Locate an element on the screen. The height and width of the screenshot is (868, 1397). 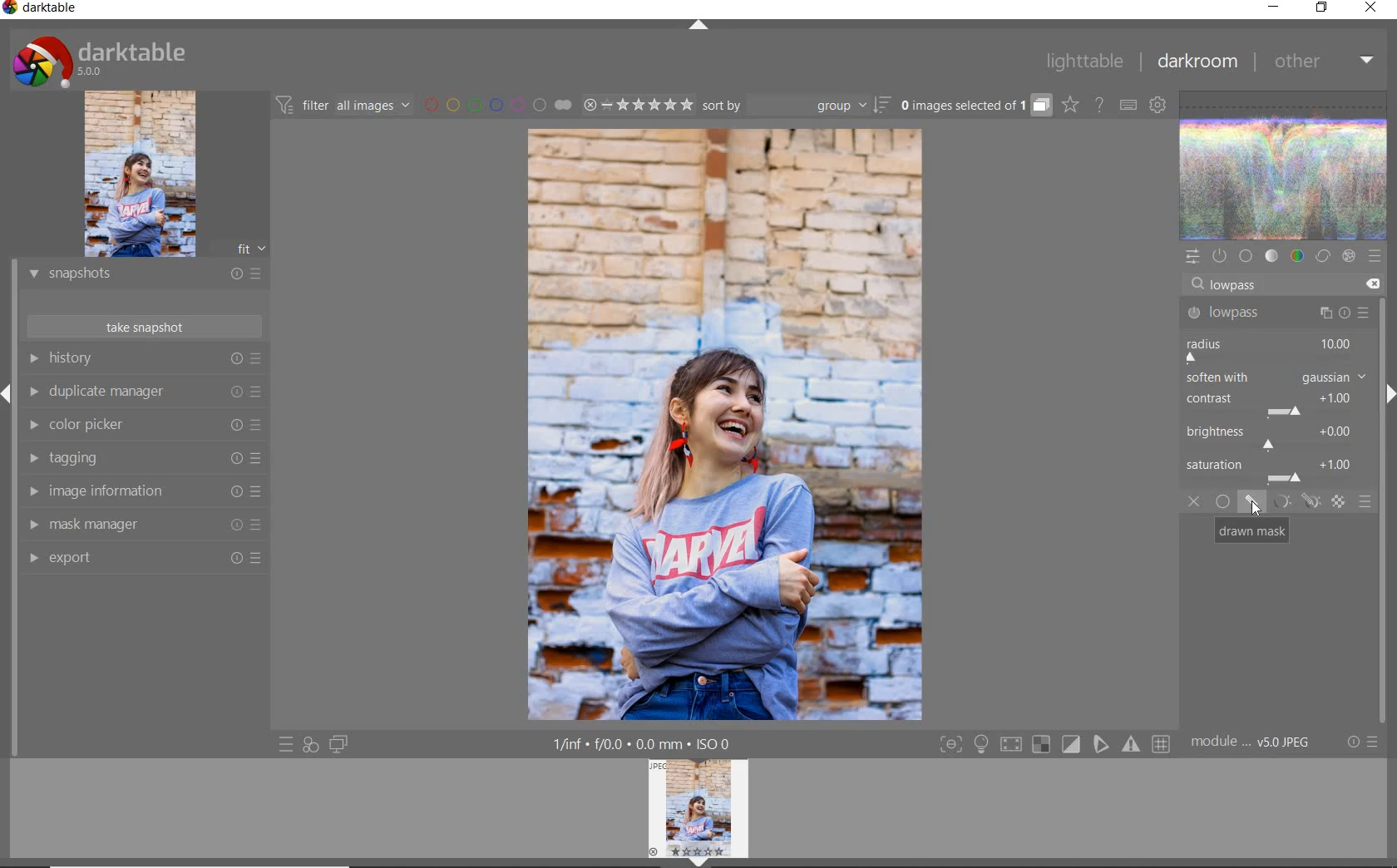
quick access to presets is located at coordinates (288, 743).